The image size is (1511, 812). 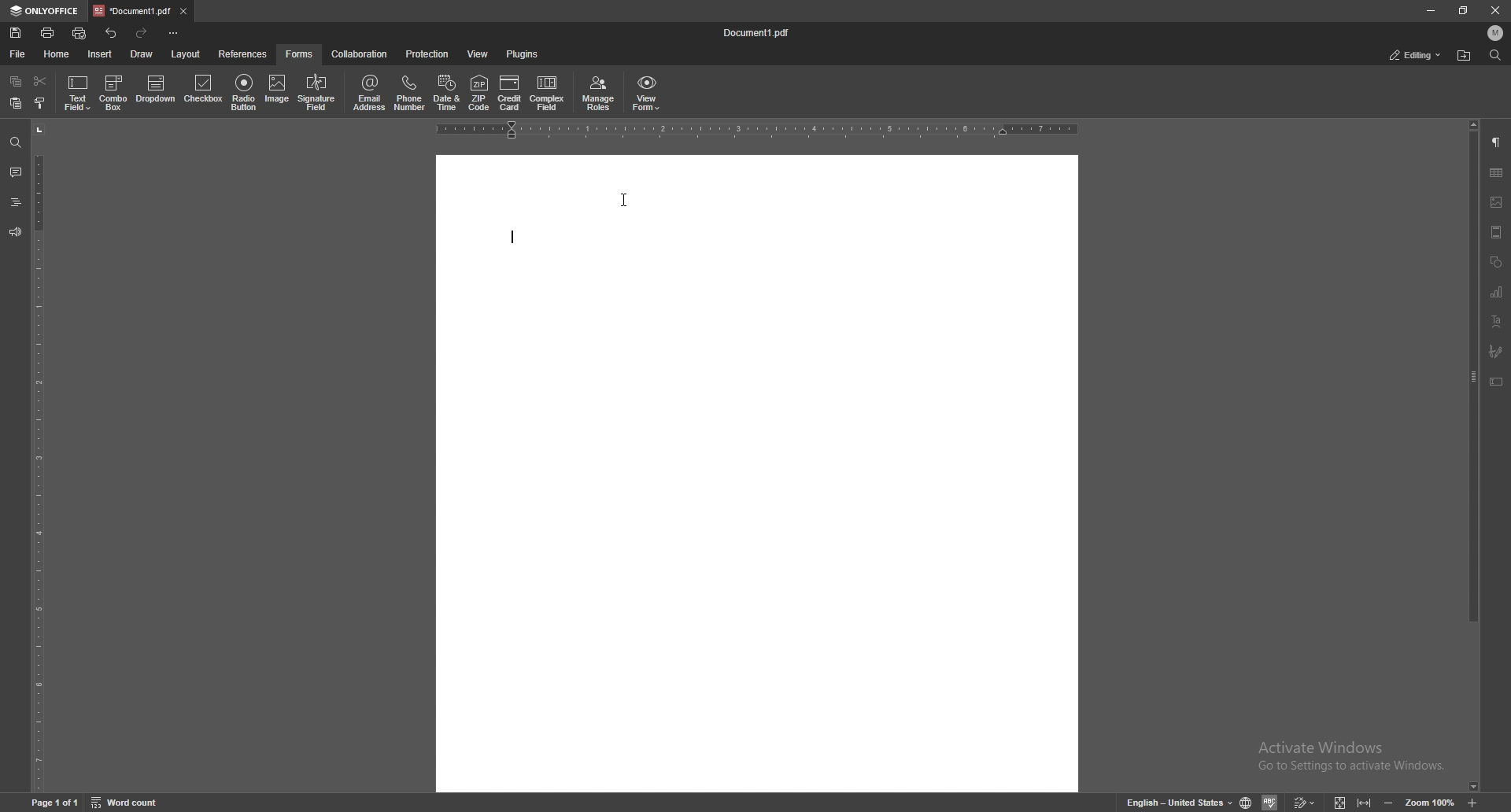 I want to click on search, so click(x=14, y=142).